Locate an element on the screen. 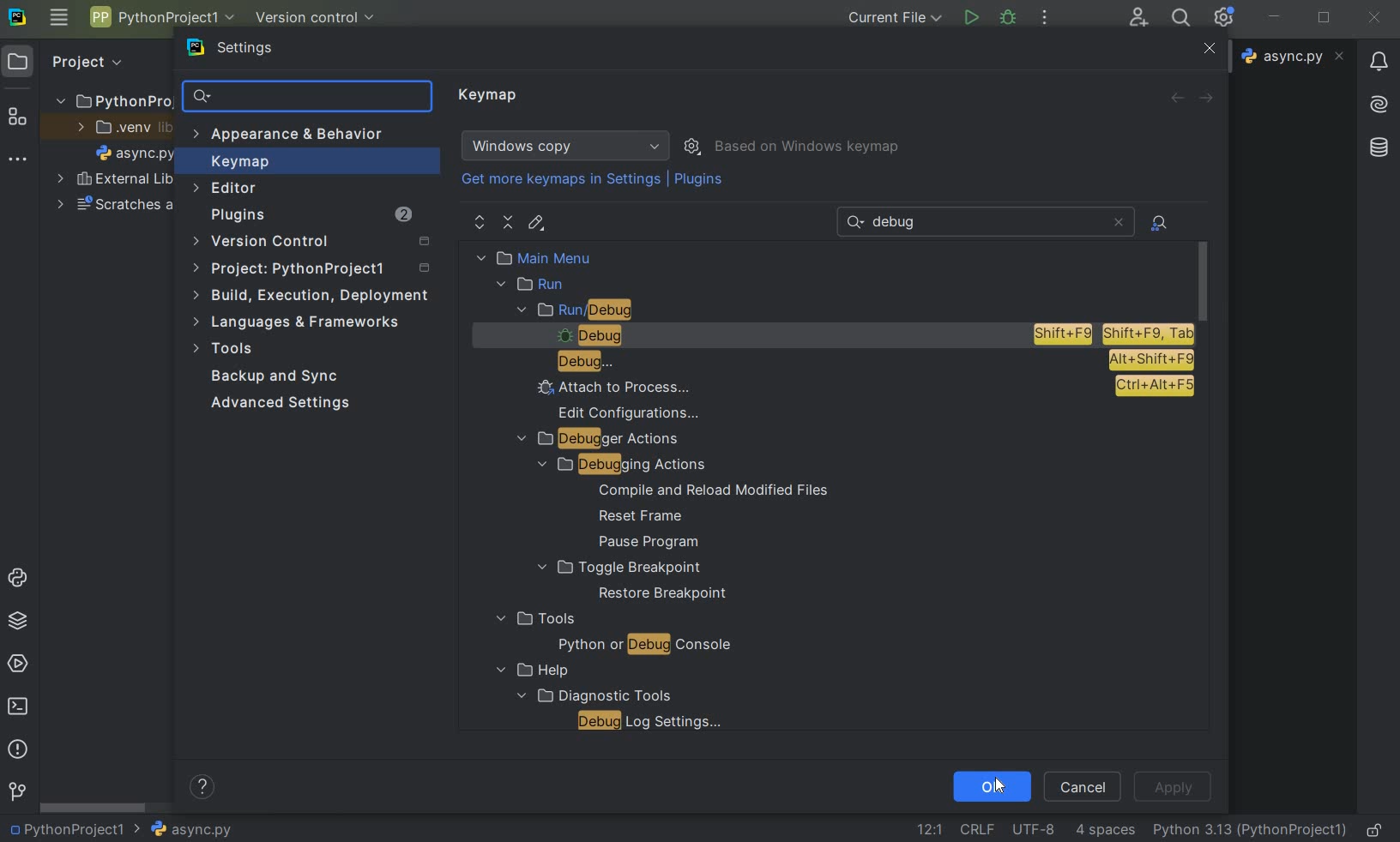  file actions by shortcuts is located at coordinates (1161, 223).